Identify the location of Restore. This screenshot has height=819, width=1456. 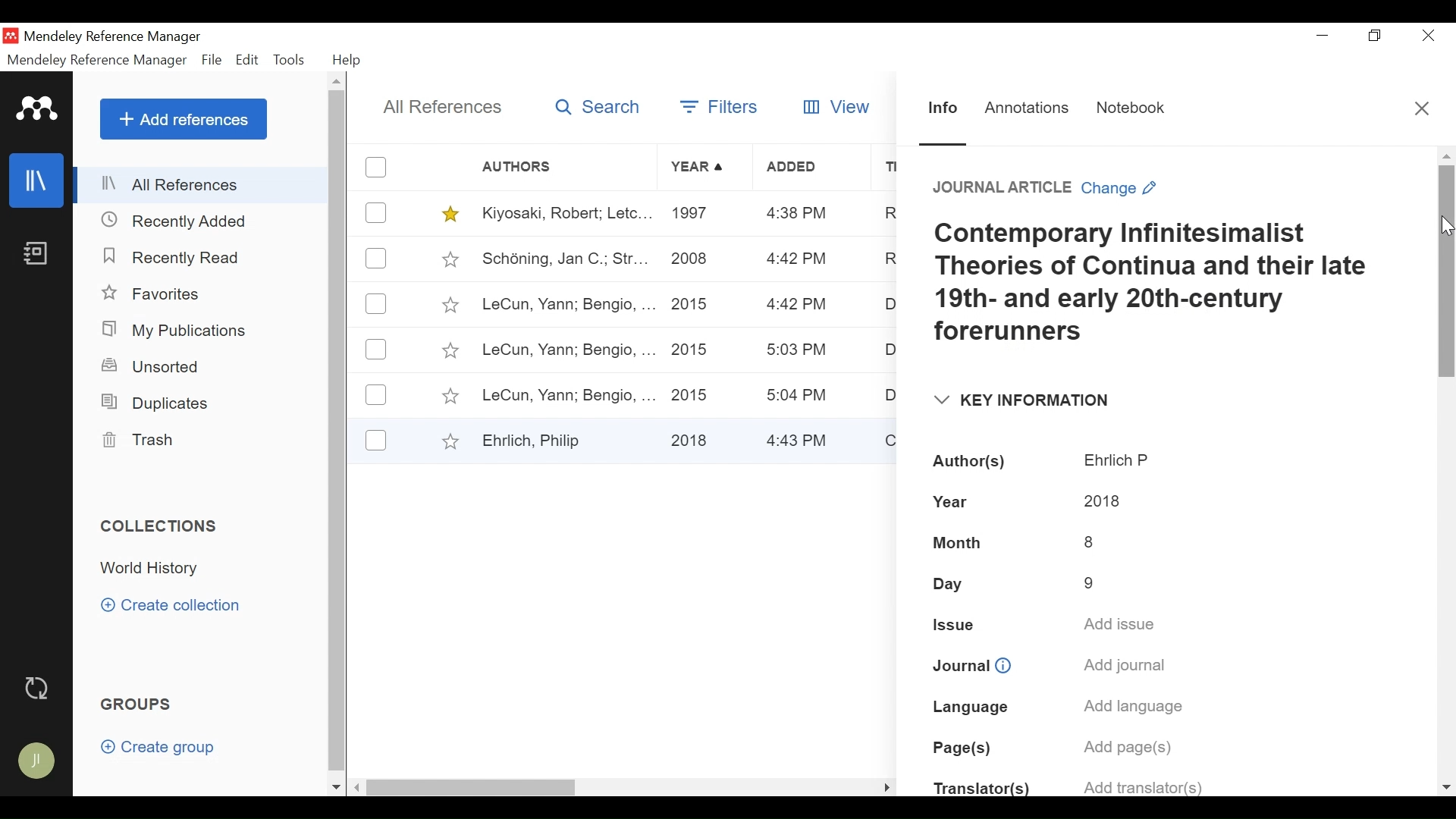
(1375, 36).